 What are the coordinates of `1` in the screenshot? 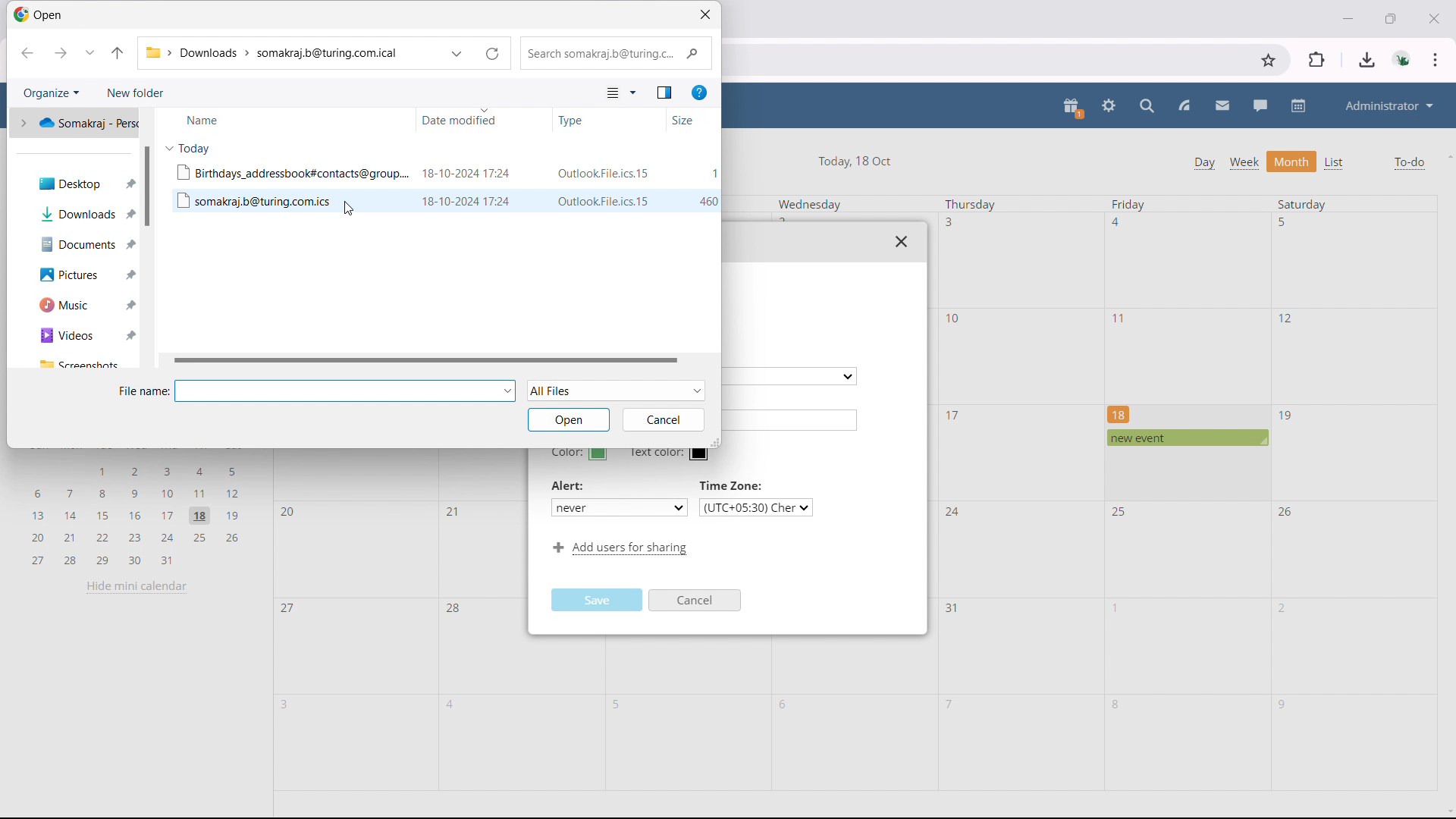 It's located at (1118, 608).